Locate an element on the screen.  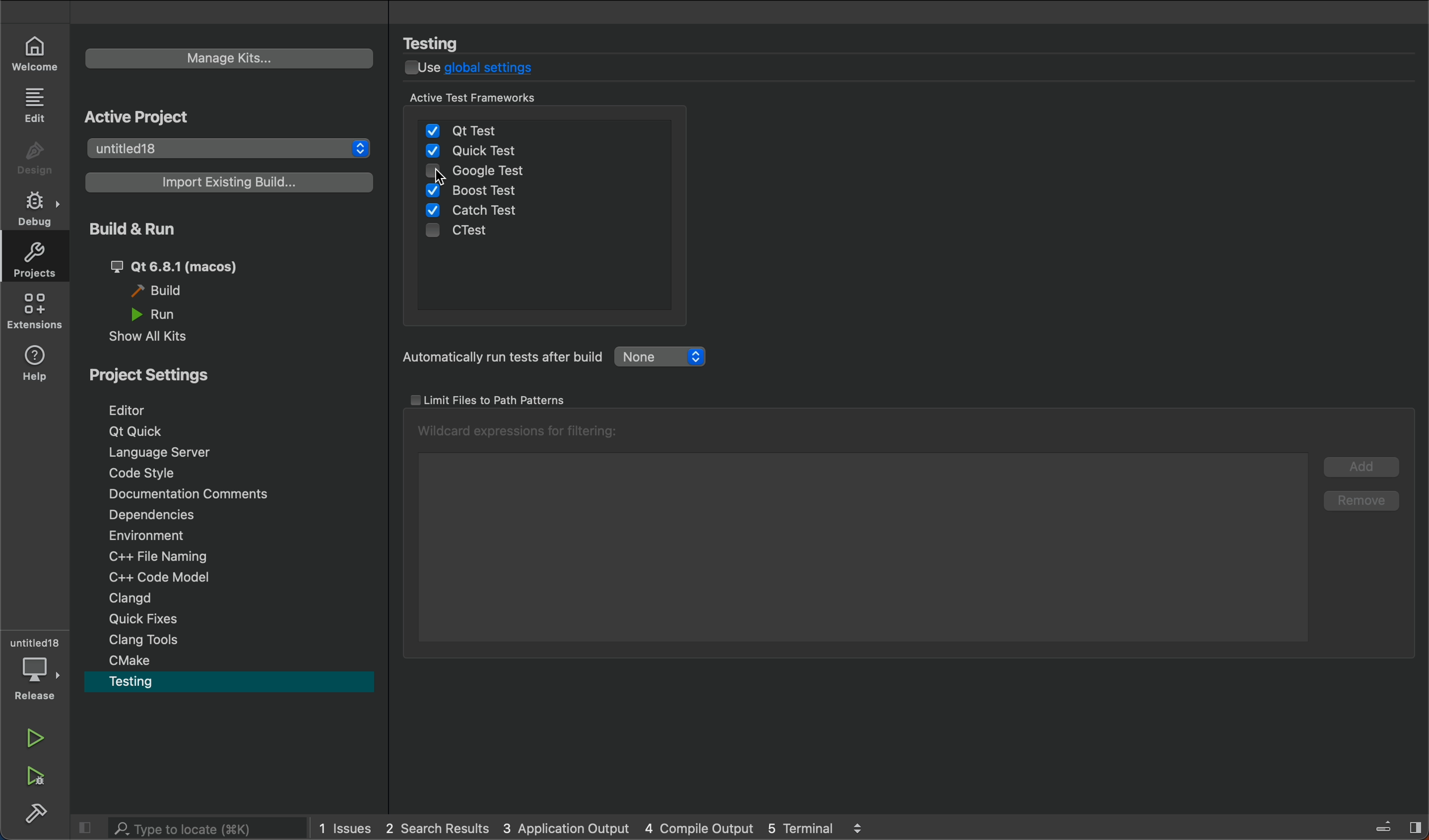
cursor is located at coordinates (447, 181).